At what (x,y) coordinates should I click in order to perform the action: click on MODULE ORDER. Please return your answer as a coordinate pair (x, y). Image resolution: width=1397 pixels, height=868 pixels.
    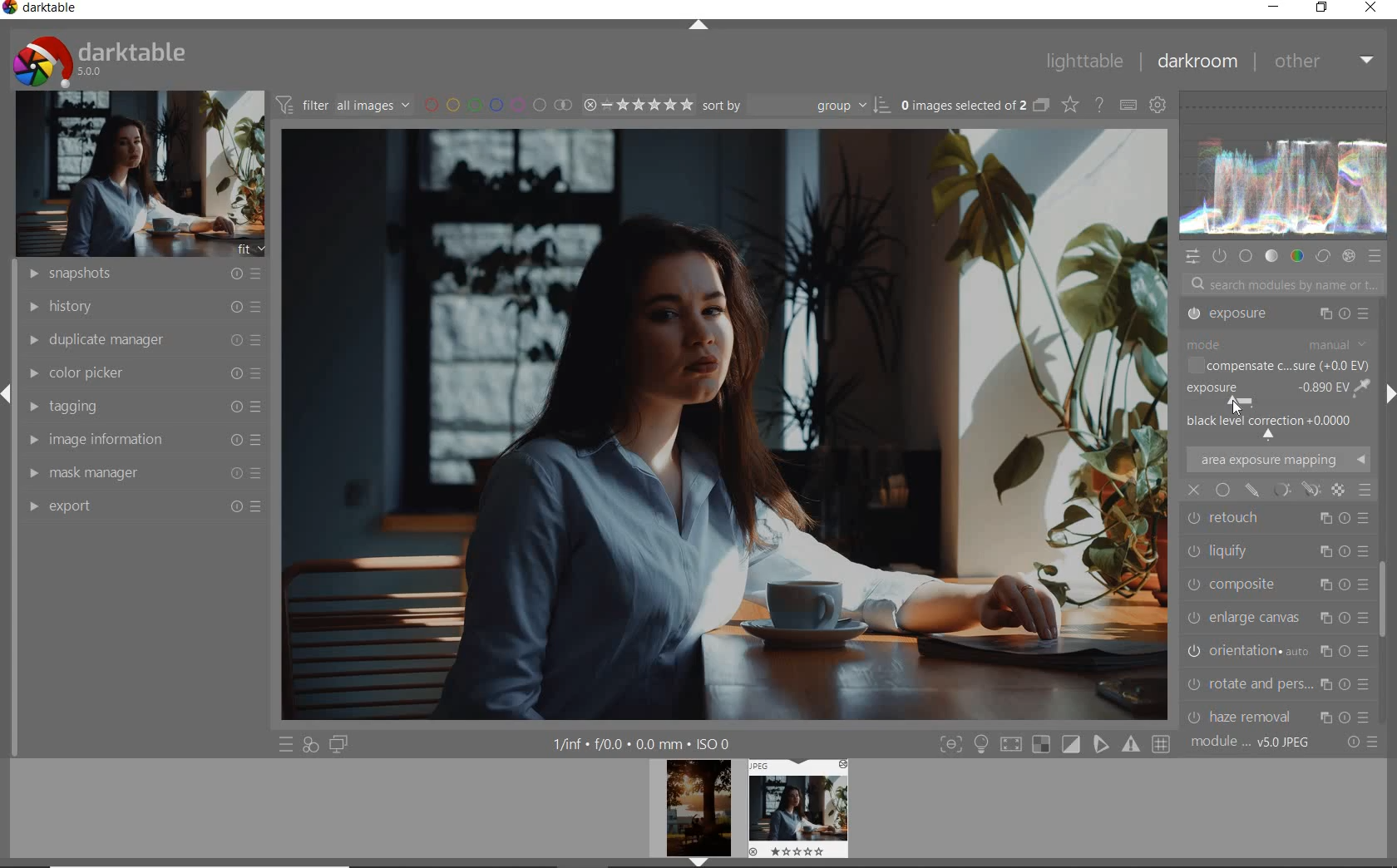
    Looking at the image, I should click on (1251, 743).